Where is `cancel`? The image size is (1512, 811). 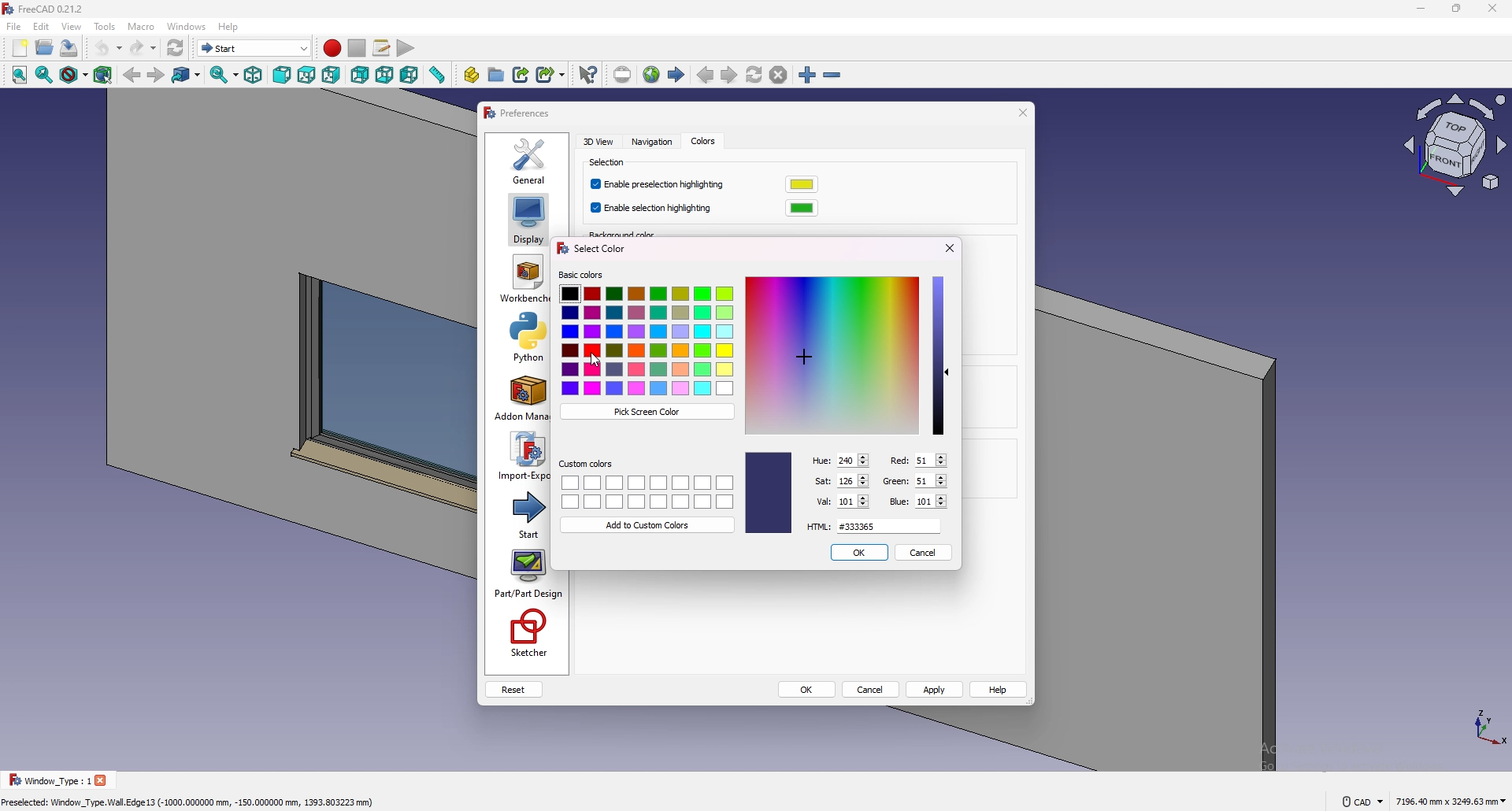
cancel is located at coordinates (872, 691).